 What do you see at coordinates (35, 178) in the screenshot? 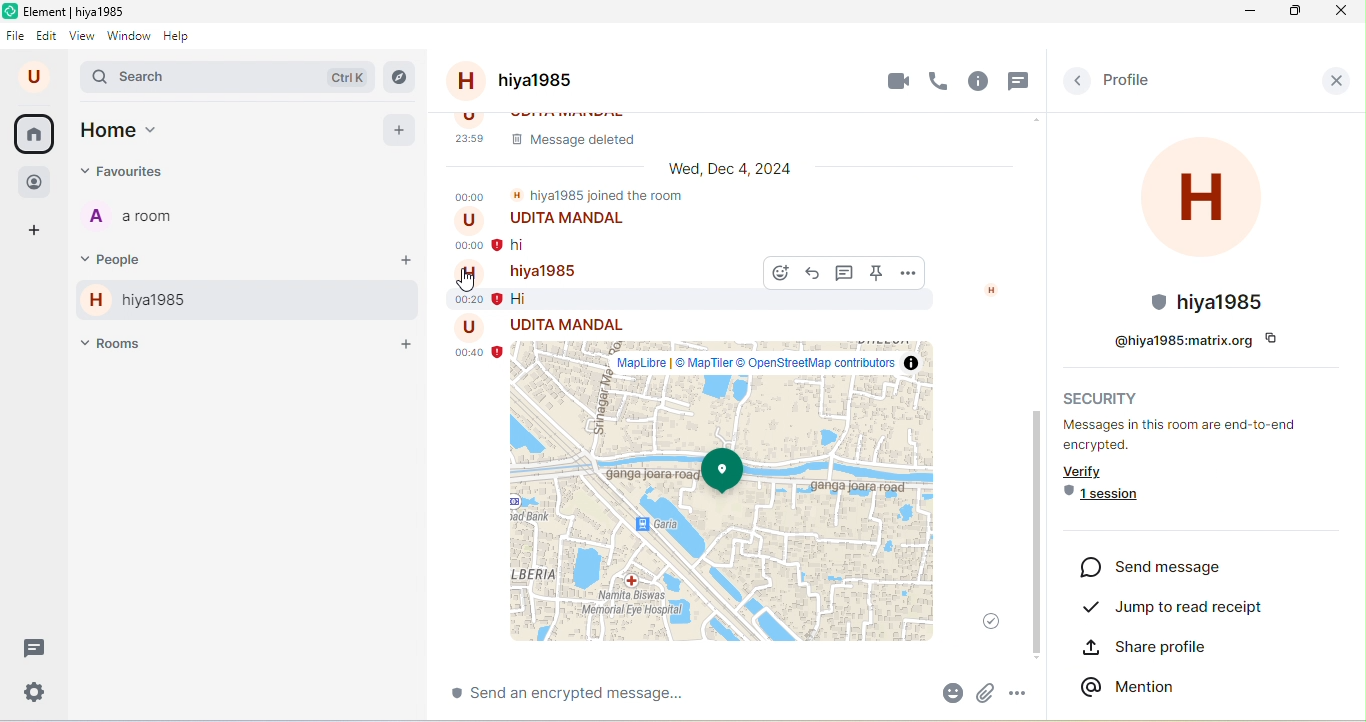
I see `people` at bounding box center [35, 178].